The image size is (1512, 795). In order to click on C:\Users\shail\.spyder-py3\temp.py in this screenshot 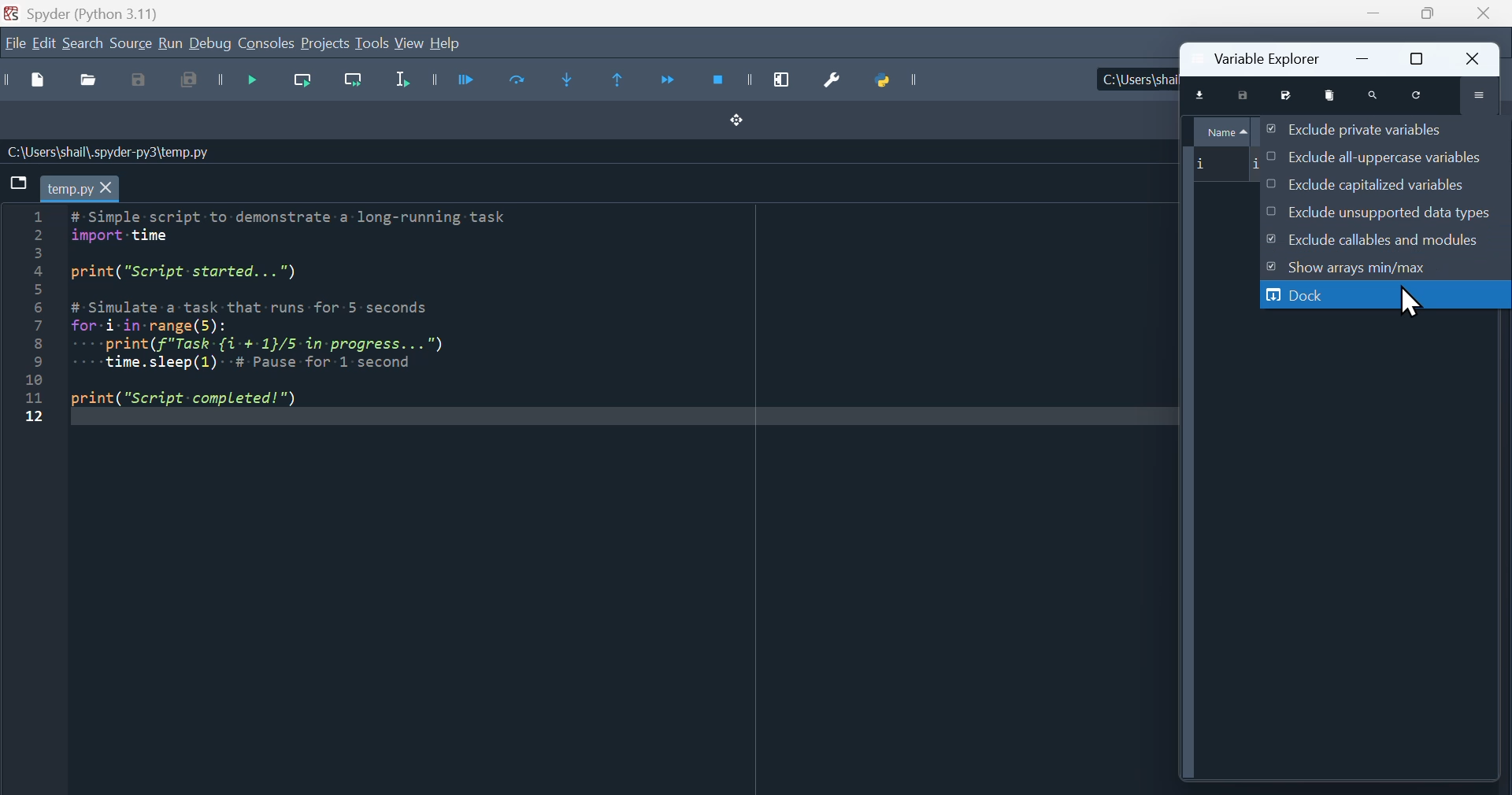, I will do `click(110, 152)`.